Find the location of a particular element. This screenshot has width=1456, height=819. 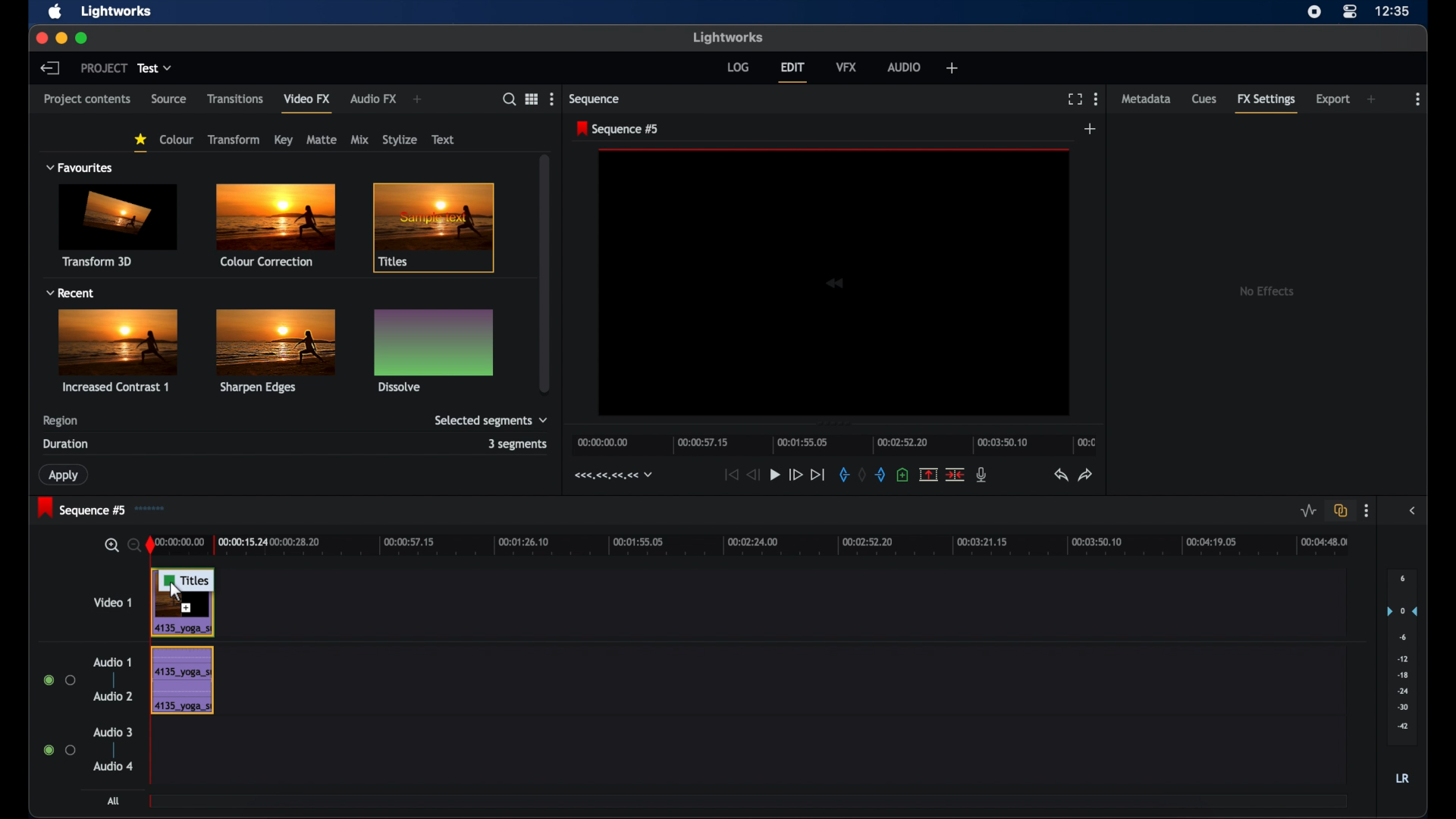

text is located at coordinates (443, 140).